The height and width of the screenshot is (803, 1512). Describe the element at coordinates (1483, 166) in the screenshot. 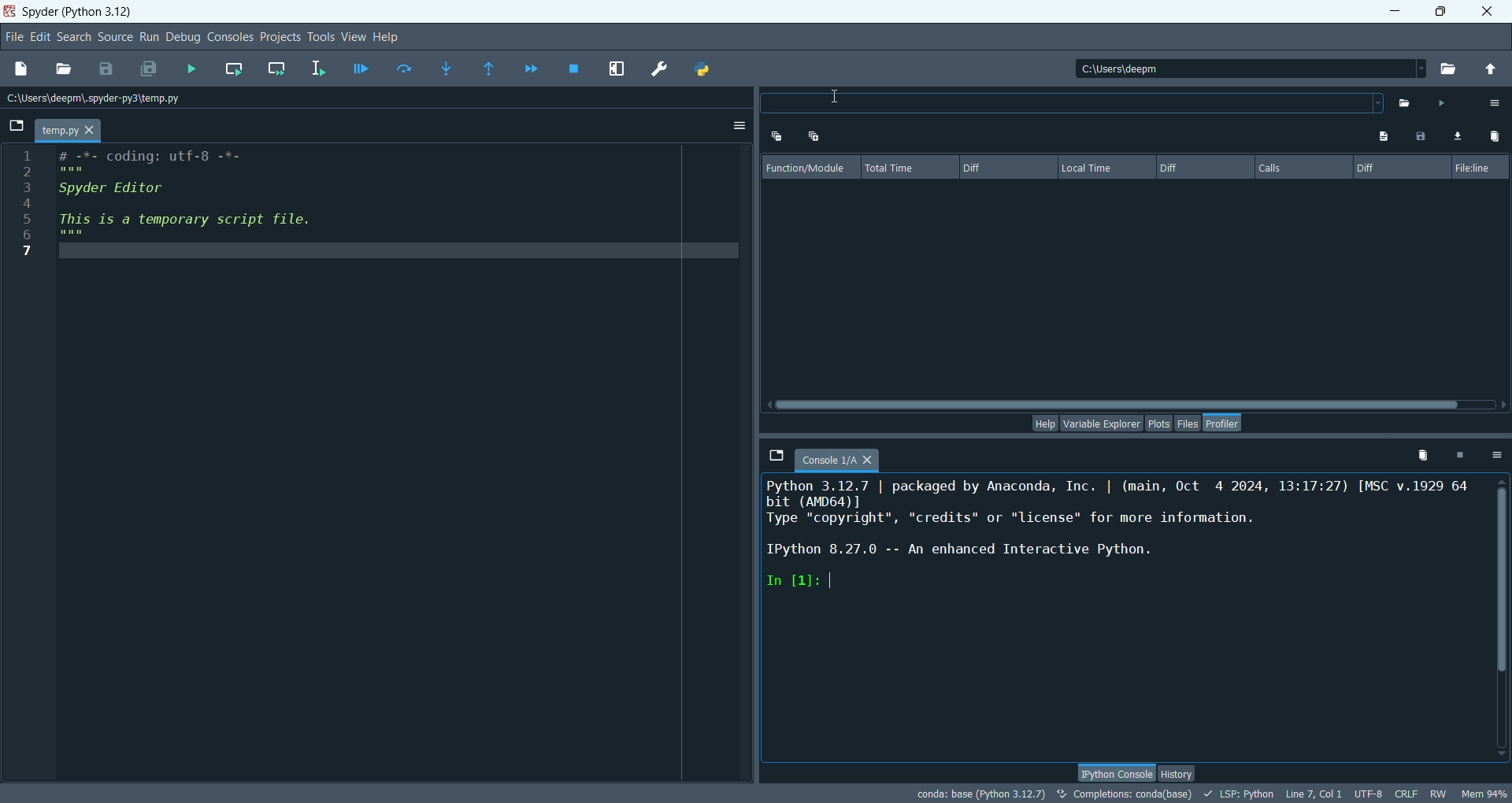

I see `fileline` at that location.